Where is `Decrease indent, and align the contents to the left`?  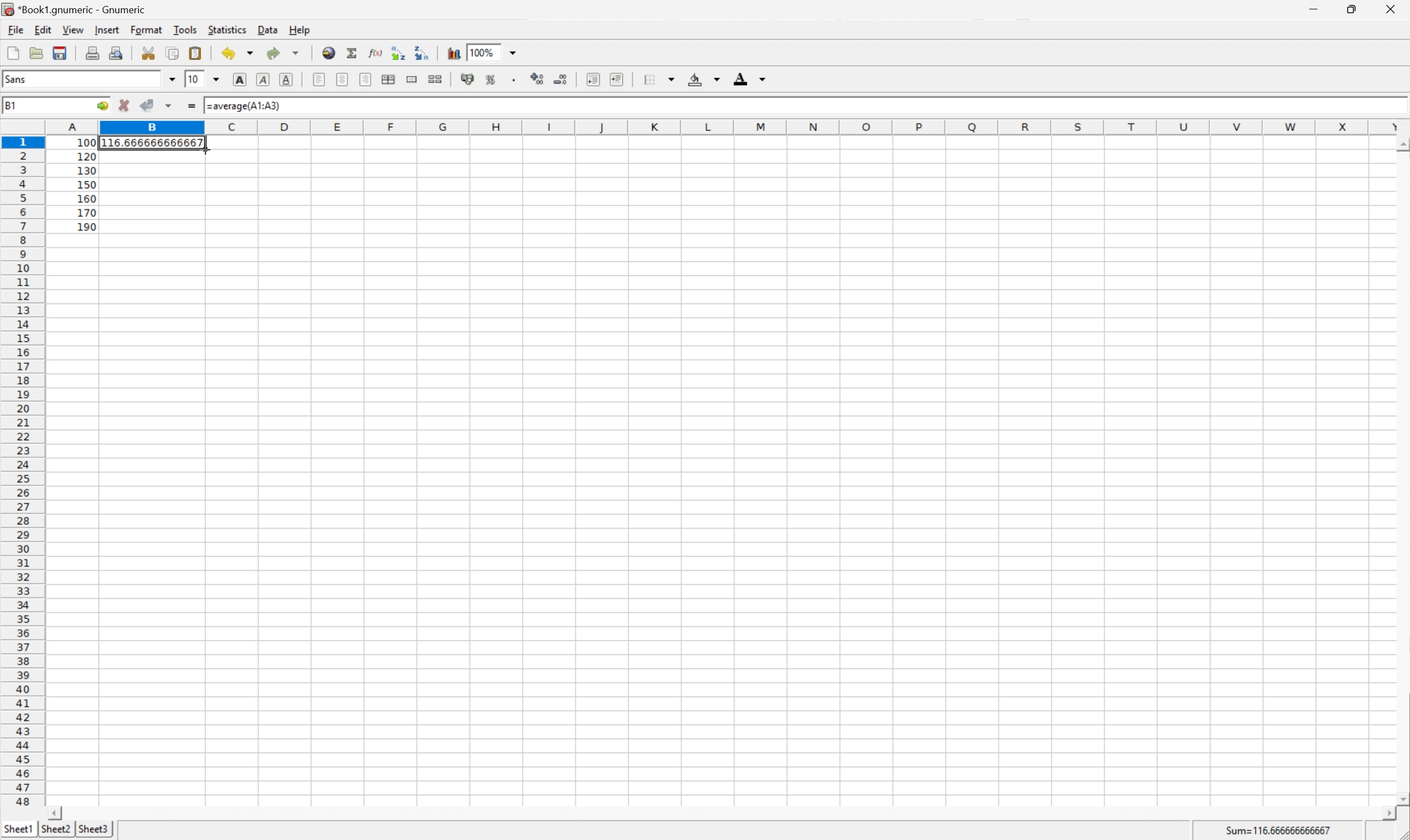 Decrease indent, and align the contents to the left is located at coordinates (592, 79).